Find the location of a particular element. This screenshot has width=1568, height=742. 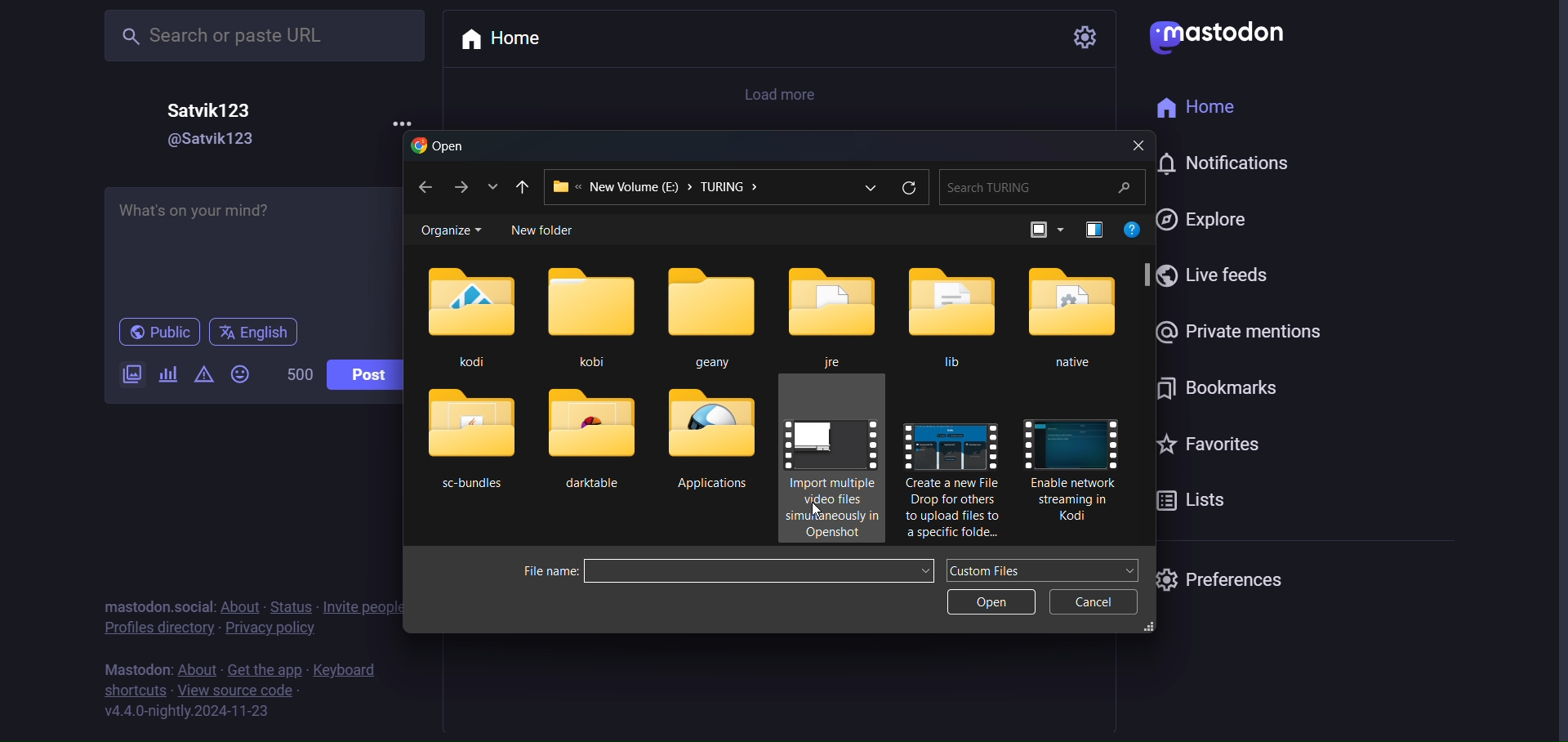

dropdown is located at coordinates (926, 570).